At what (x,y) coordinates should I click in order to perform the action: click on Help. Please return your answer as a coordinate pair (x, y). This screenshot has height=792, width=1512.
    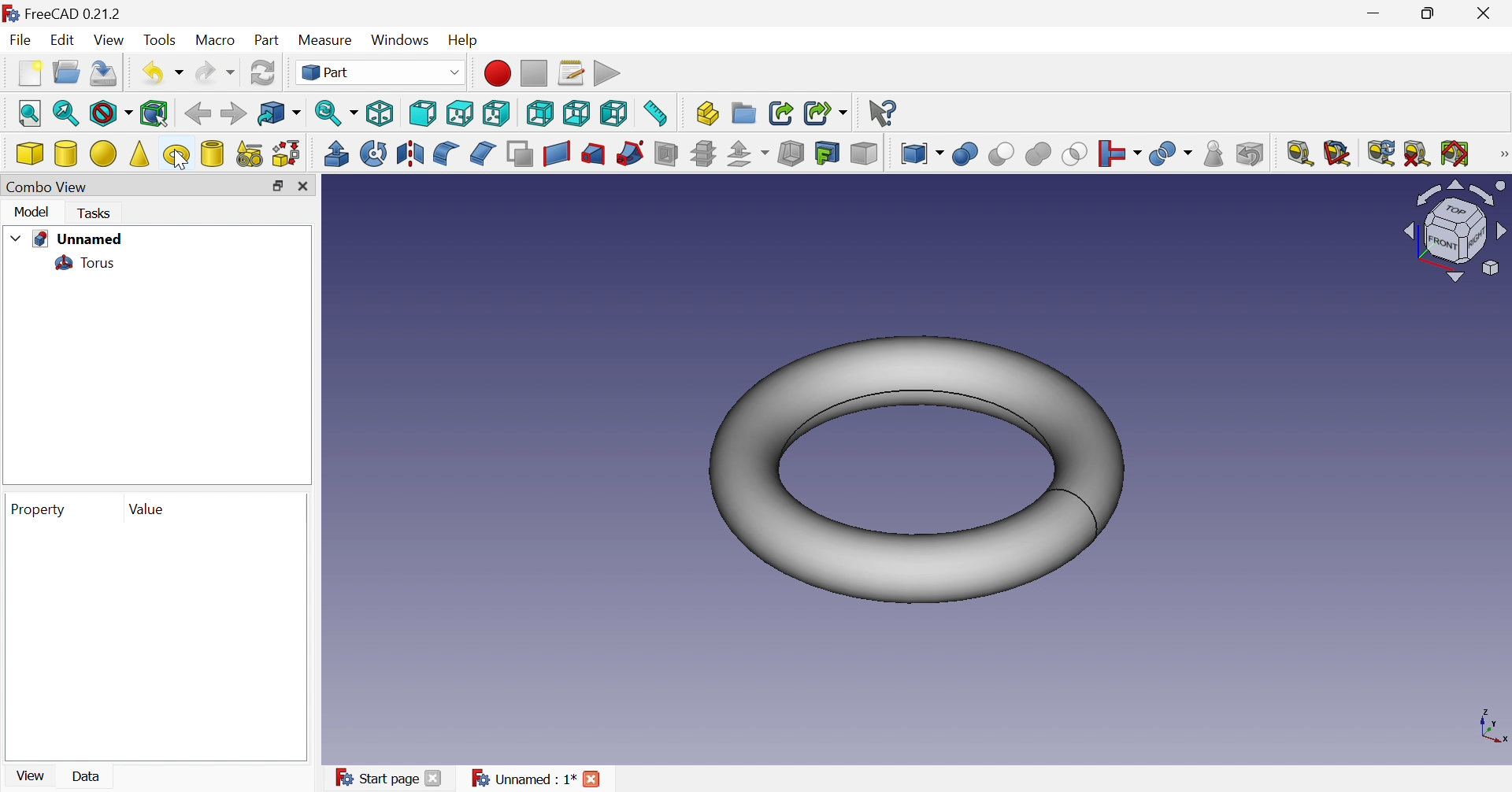
    Looking at the image, I should click on (462, 42).